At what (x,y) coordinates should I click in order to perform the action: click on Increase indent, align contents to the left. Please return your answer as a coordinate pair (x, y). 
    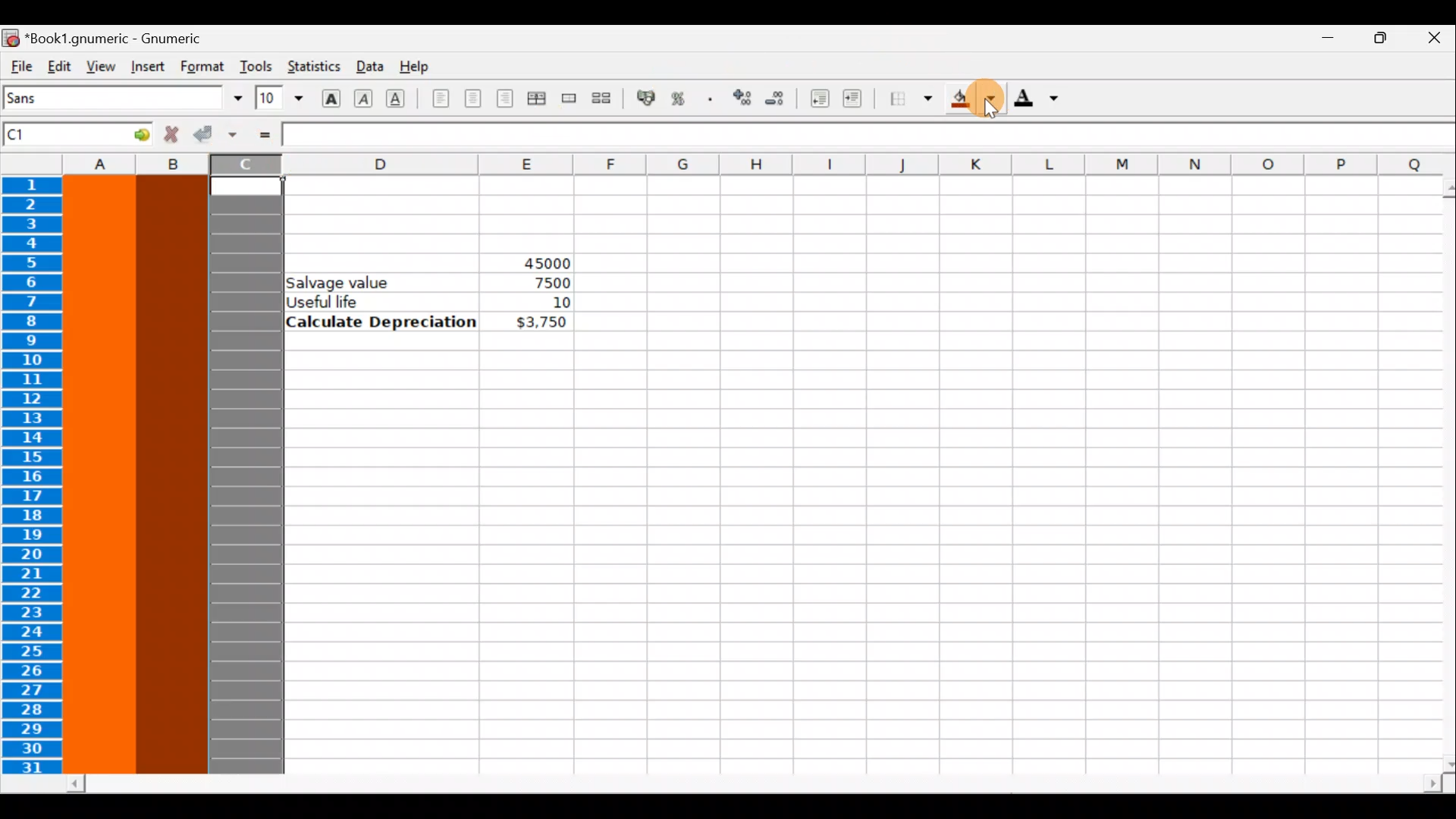
    Looking at the image, I should click on (859, 100).